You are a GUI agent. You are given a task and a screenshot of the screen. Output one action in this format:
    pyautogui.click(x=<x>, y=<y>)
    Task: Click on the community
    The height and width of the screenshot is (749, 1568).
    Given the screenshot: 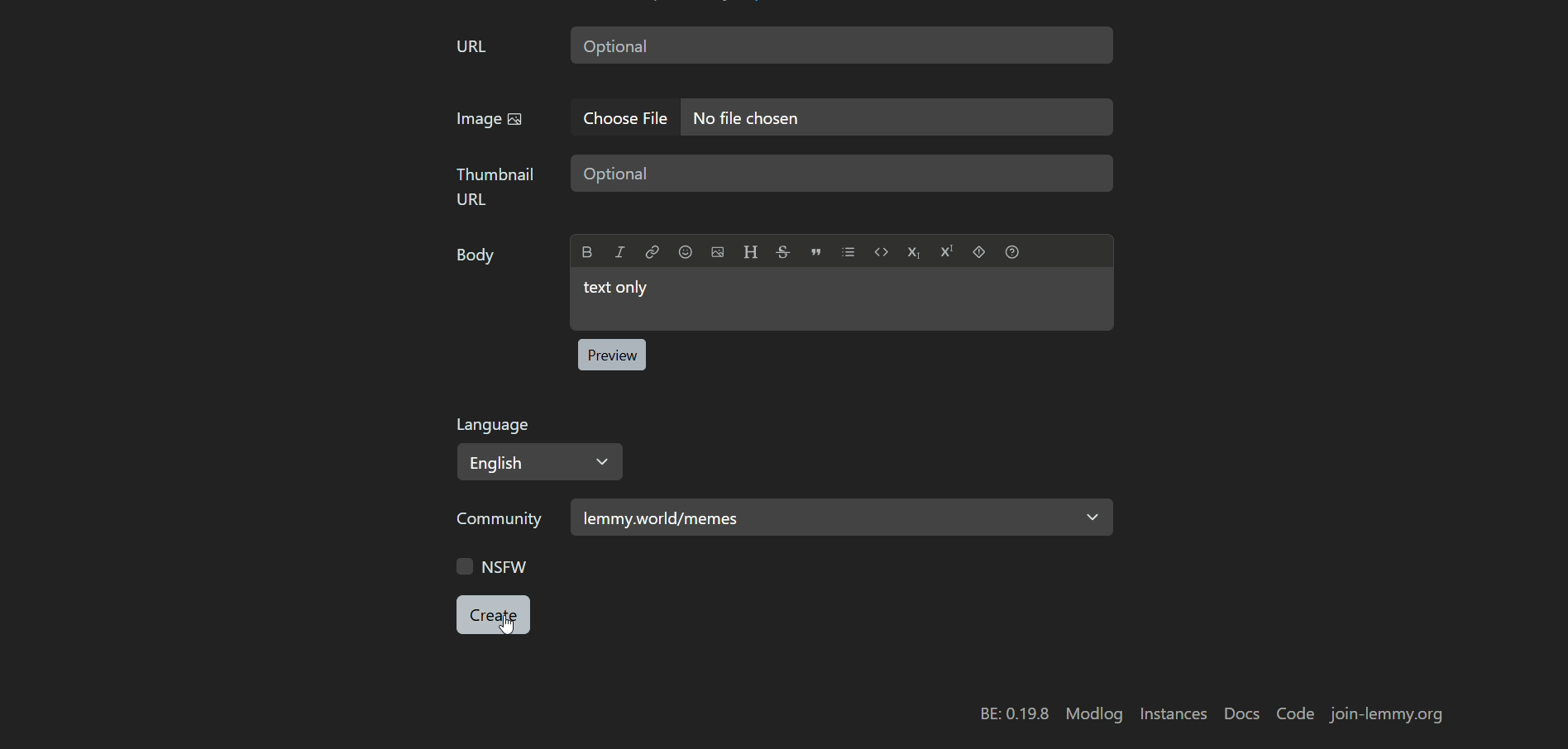 What is the action you would take?
    pyautogui.click(x=504, y=520)
    